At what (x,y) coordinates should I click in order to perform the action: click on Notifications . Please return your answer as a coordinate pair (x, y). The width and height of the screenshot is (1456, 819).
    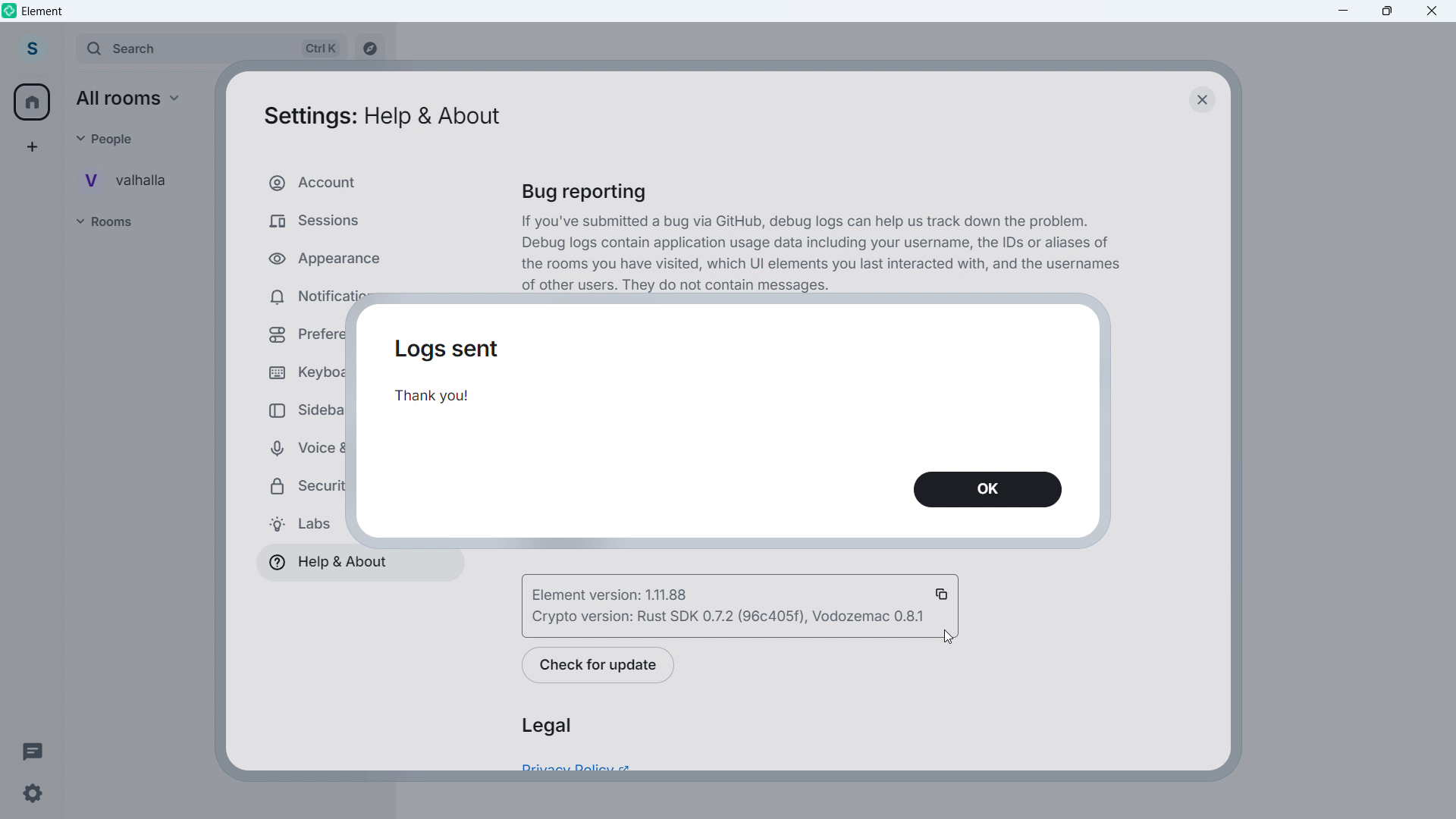
    Looking at the image, I should click on (338, 296).